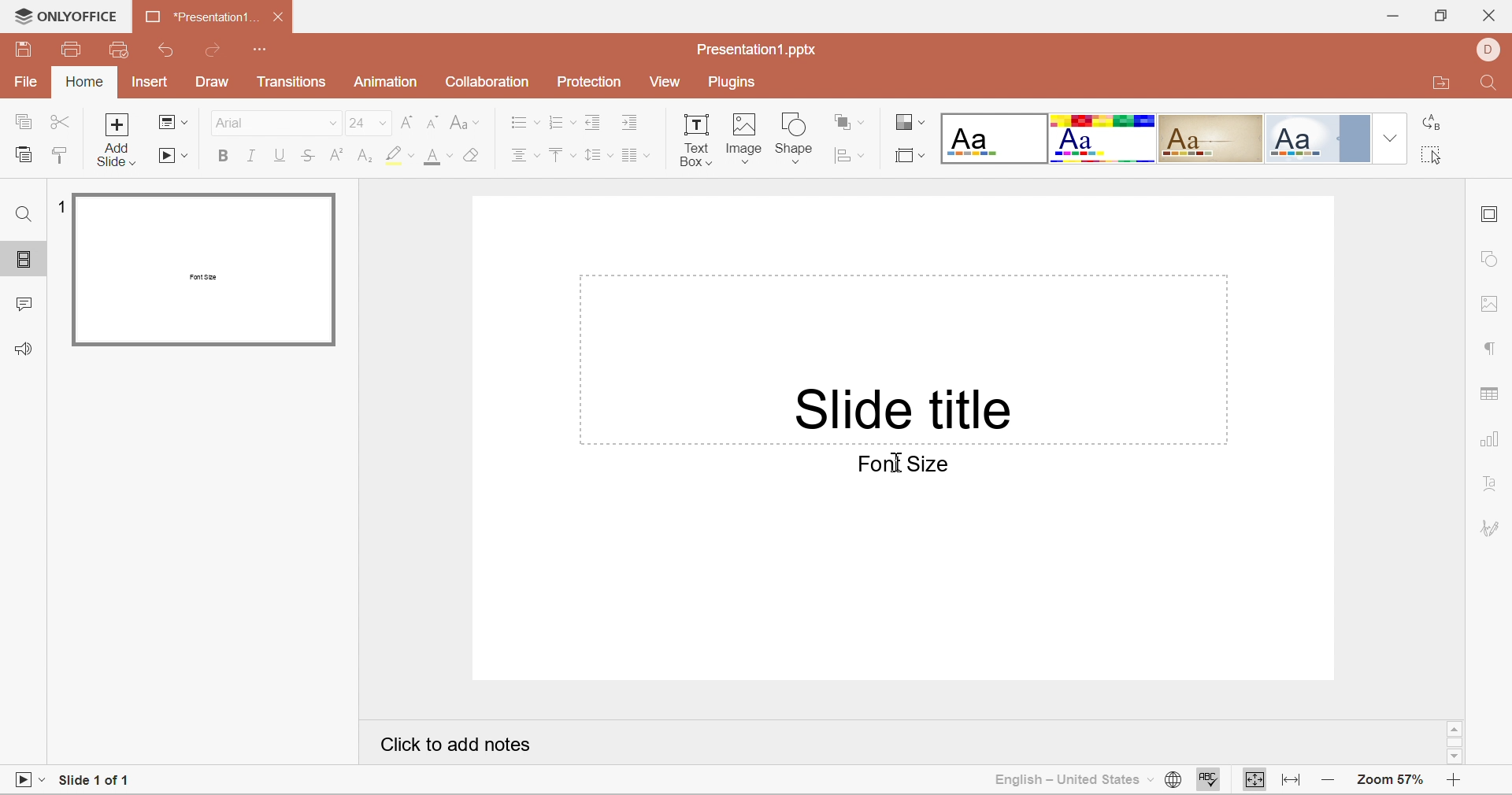  What do you see at coordinates (475, 160) in the screenshot?
I see `Clear` at bounding box center [475, 160].